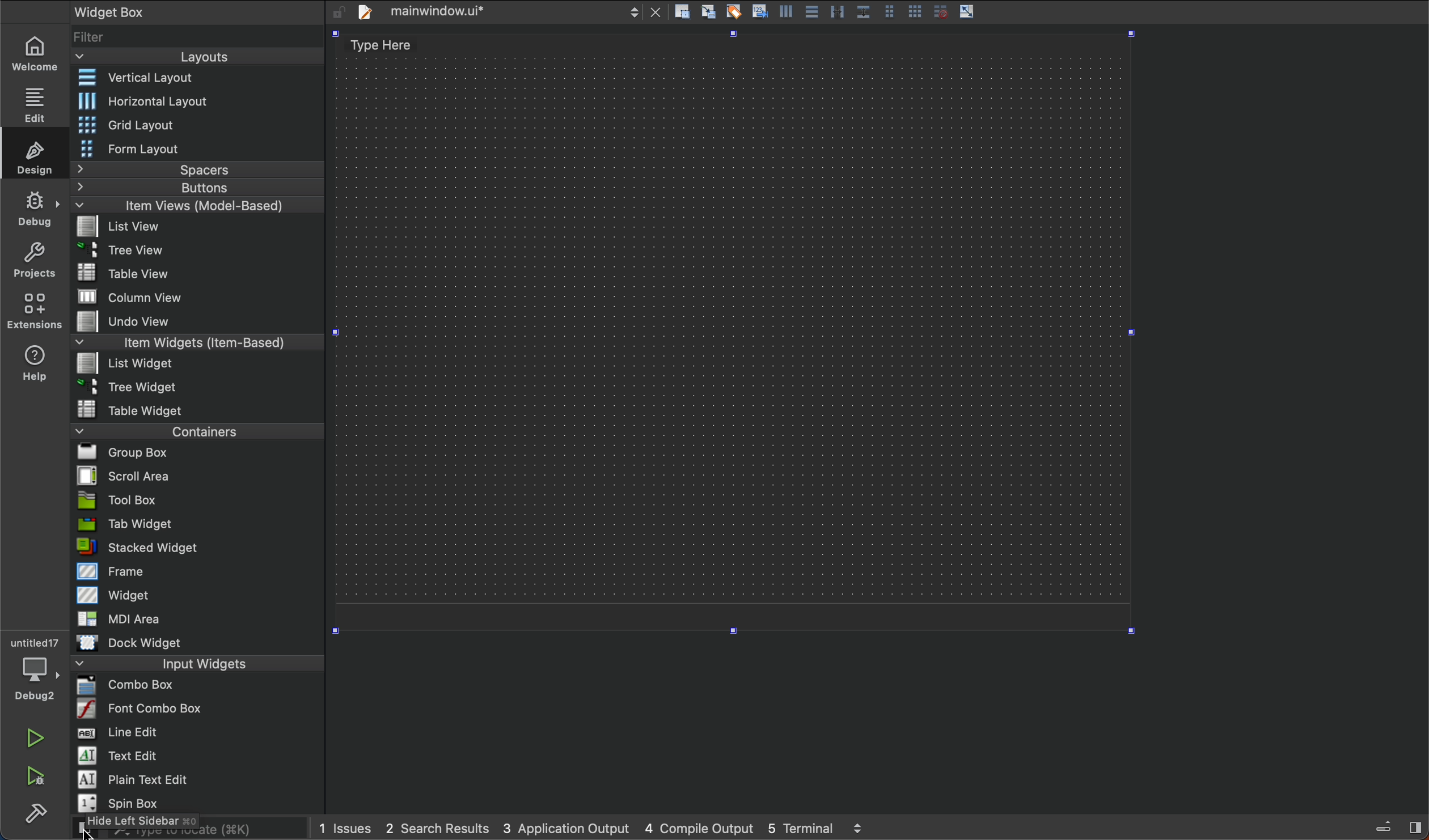  I want to click on design section, so click(736, 336).